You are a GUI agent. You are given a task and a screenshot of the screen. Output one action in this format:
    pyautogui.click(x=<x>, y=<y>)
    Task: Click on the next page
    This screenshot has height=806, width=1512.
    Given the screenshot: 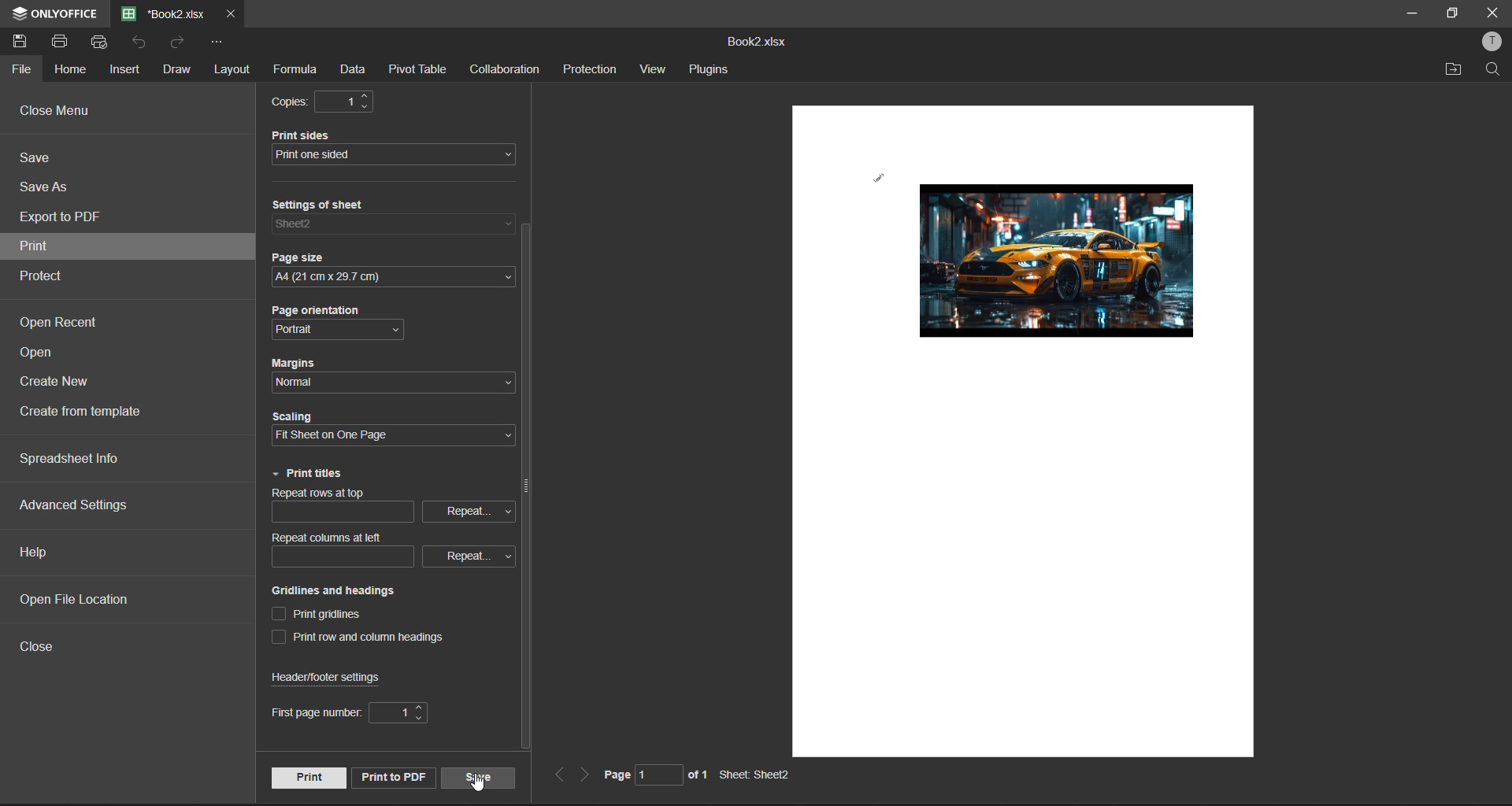 What is the action you would take?
    pyautogui.click(x=582, y=775)
    